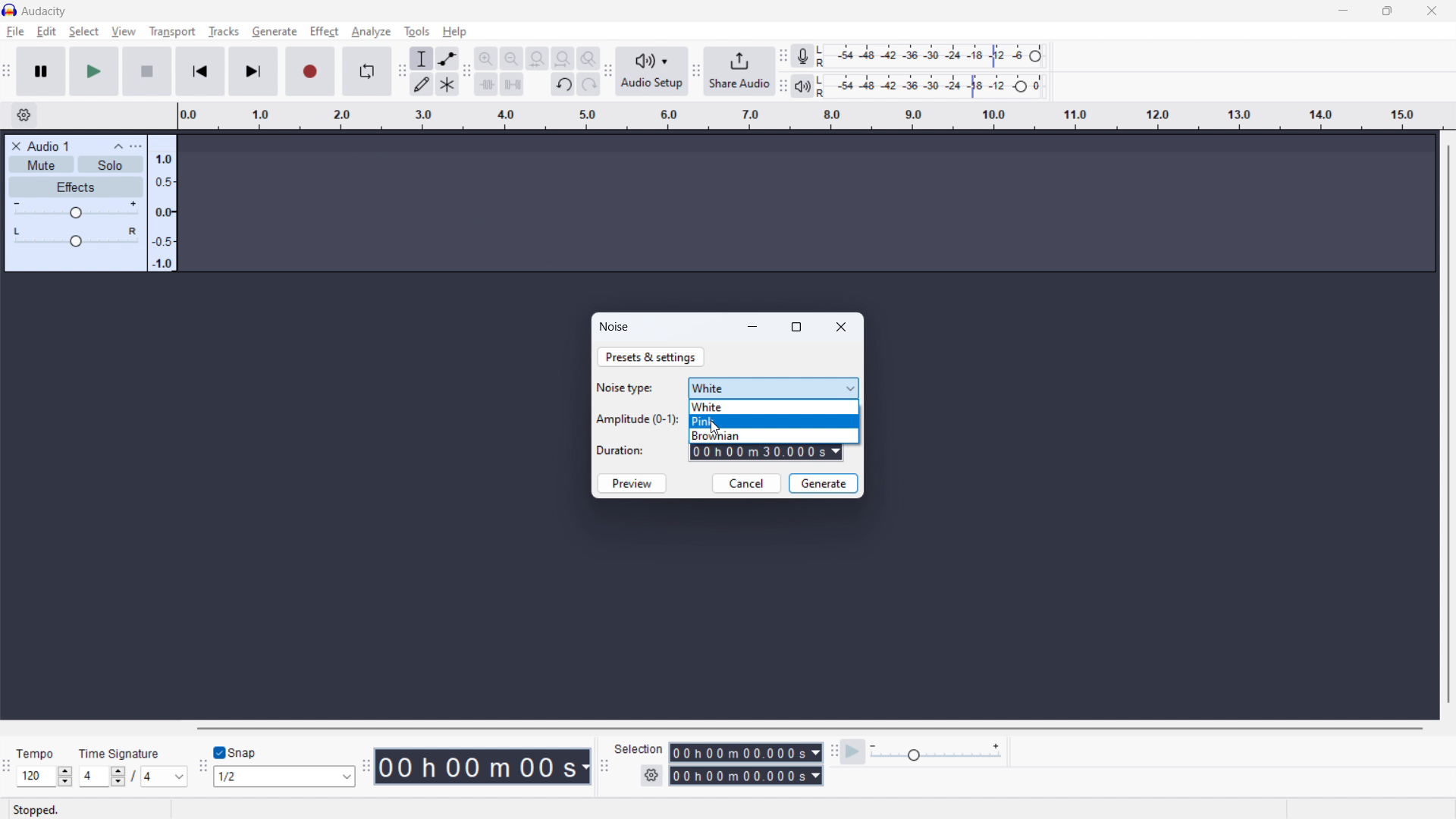 Image resolution: width=1456 pixels, height=819 pixels. I want to click on toggle snap, so click(237, 752).